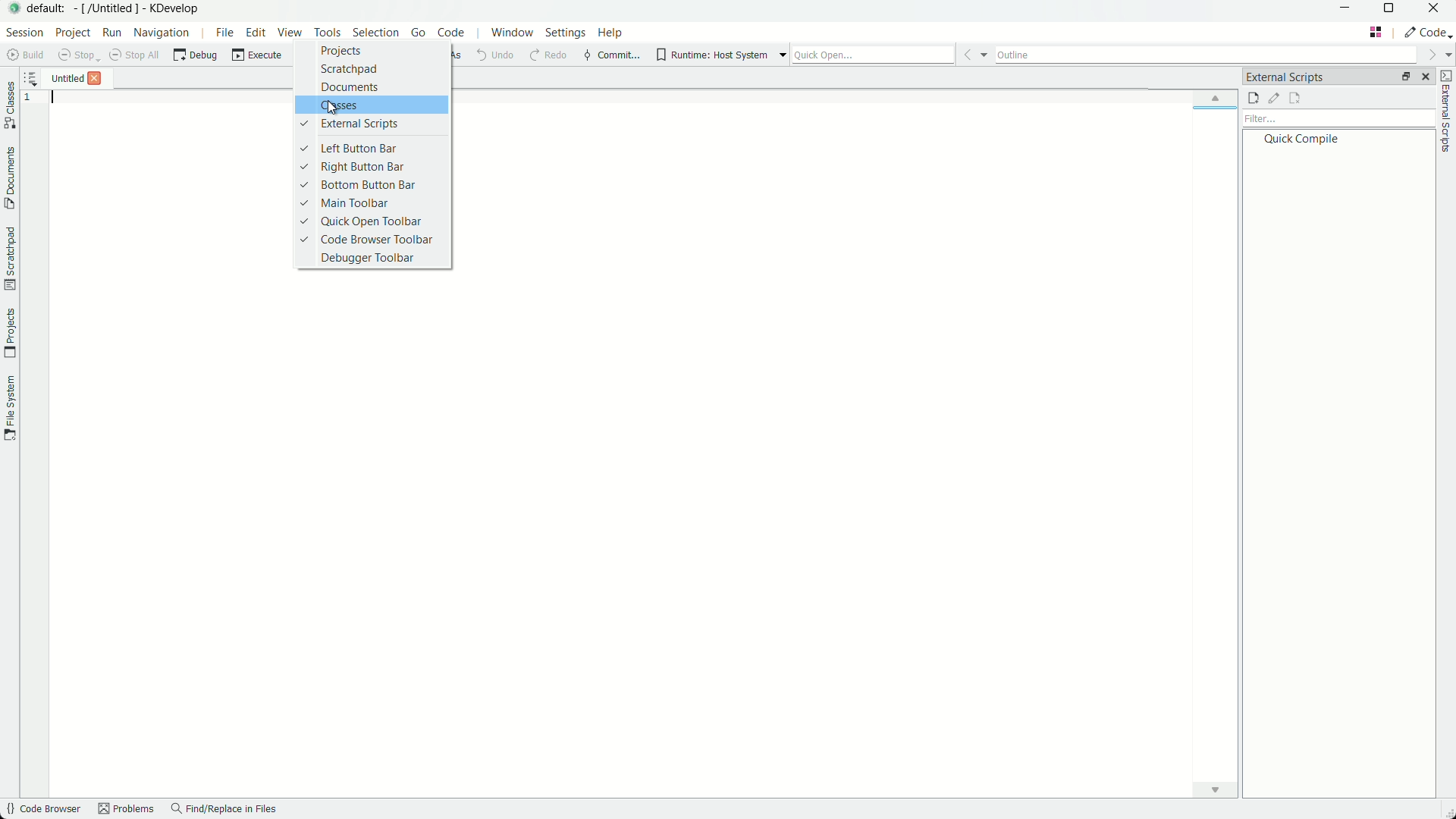 The height and width of the screenshot is (819, 1456). Describe the element at coordinates (336, 108) in the screenshot. I see `cursor` at that location.